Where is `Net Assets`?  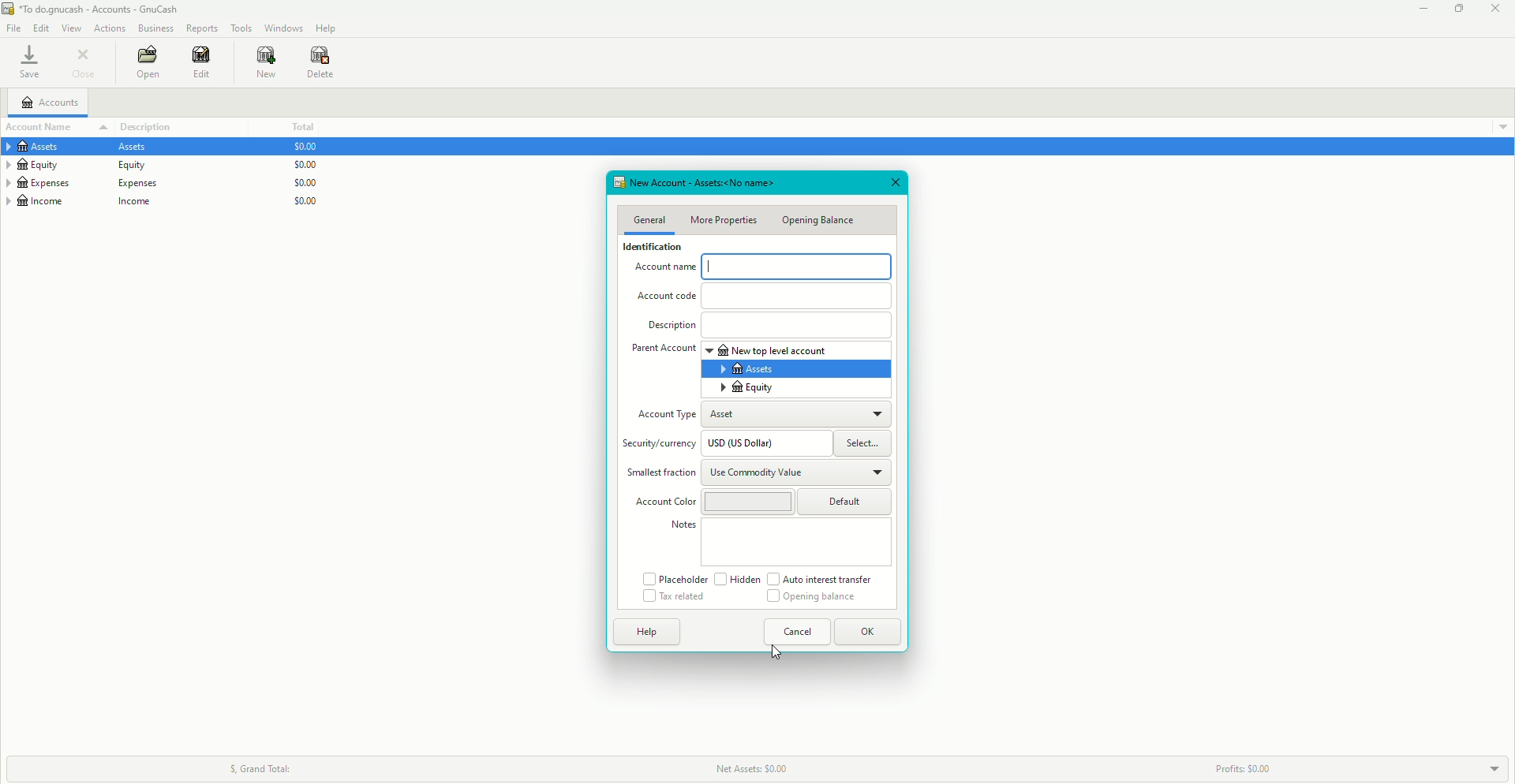
Net Assets is located at coordinates (764, 767).